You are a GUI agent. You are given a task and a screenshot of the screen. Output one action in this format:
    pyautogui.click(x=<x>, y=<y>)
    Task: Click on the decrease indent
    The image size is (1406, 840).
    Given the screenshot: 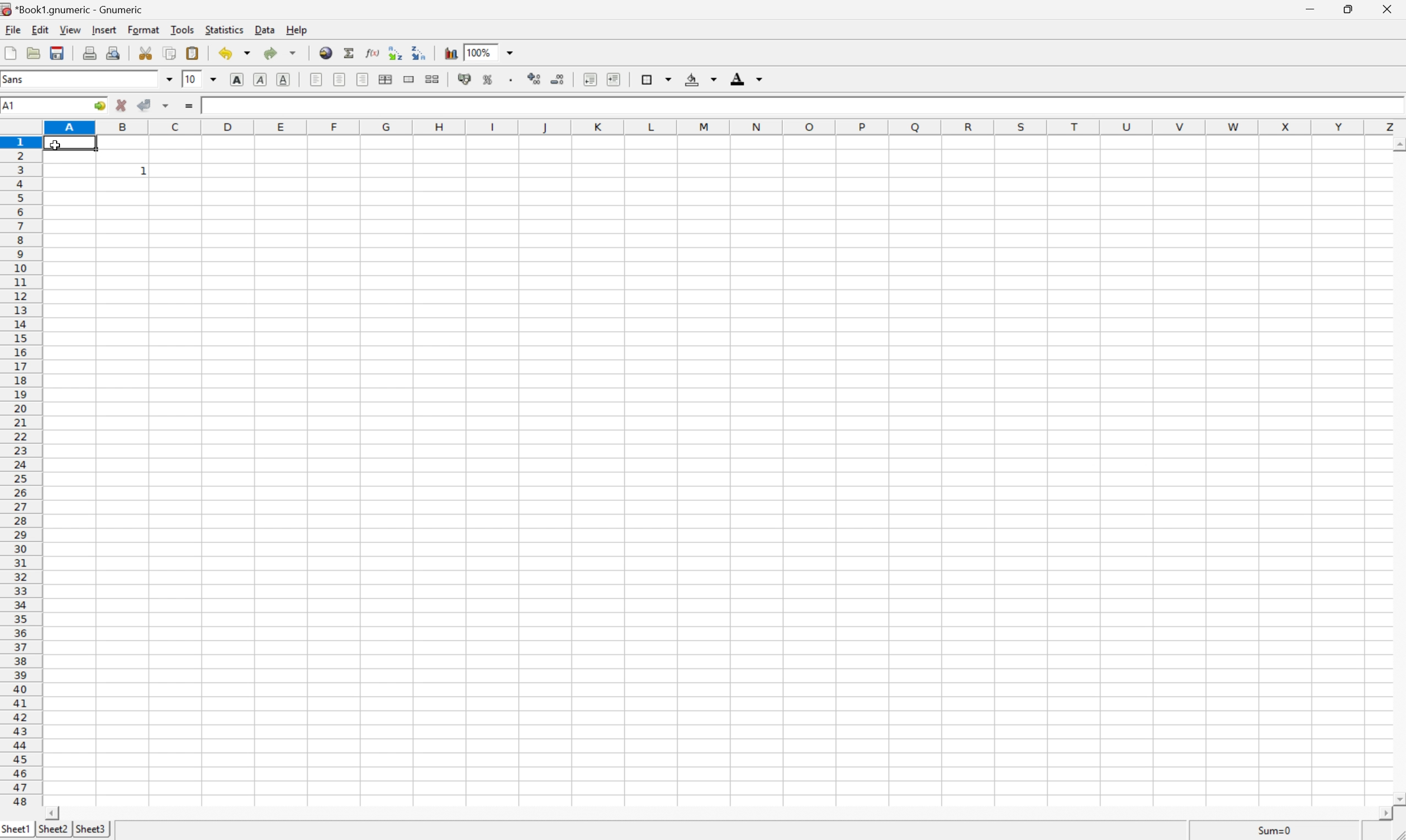 What is the action you would take?
    pyautogui.click(x=588, y=78)
    